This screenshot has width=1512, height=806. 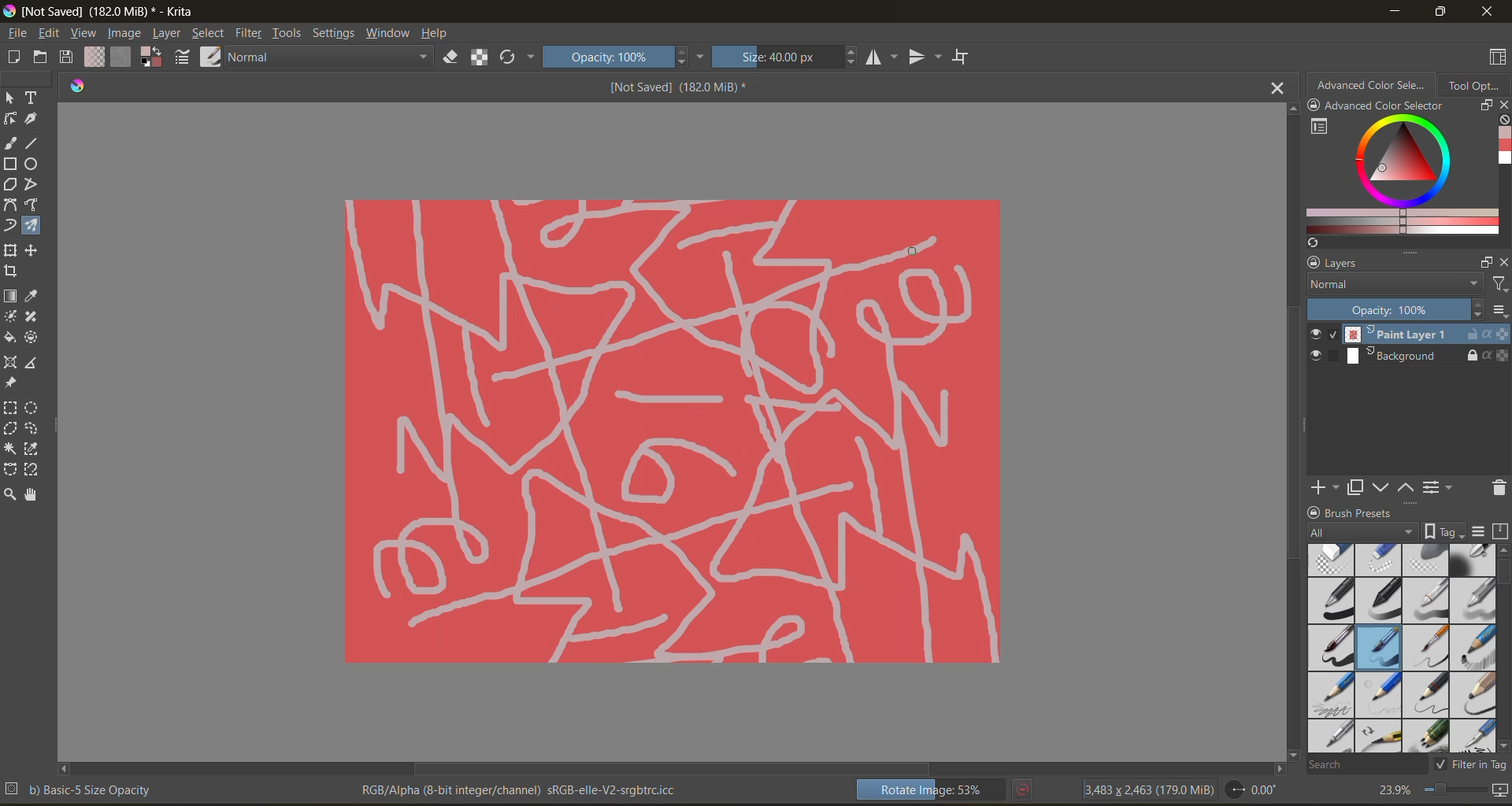 What do you see at coordinates (1498, 287) in the screenshot?
I see `filters` at bounding box center [1498, 287].